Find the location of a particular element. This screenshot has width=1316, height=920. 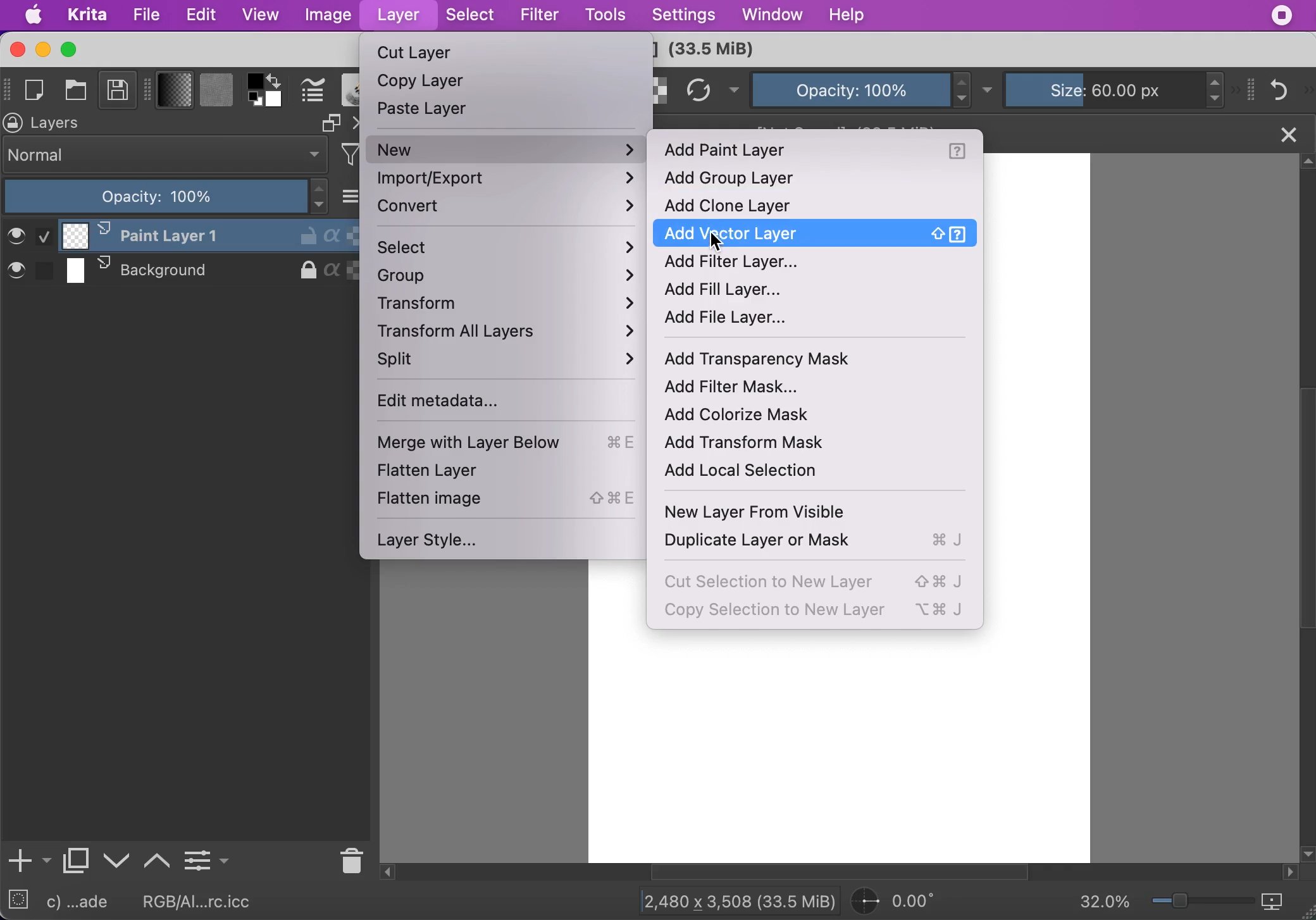

file is located at coordinates (146, 15).